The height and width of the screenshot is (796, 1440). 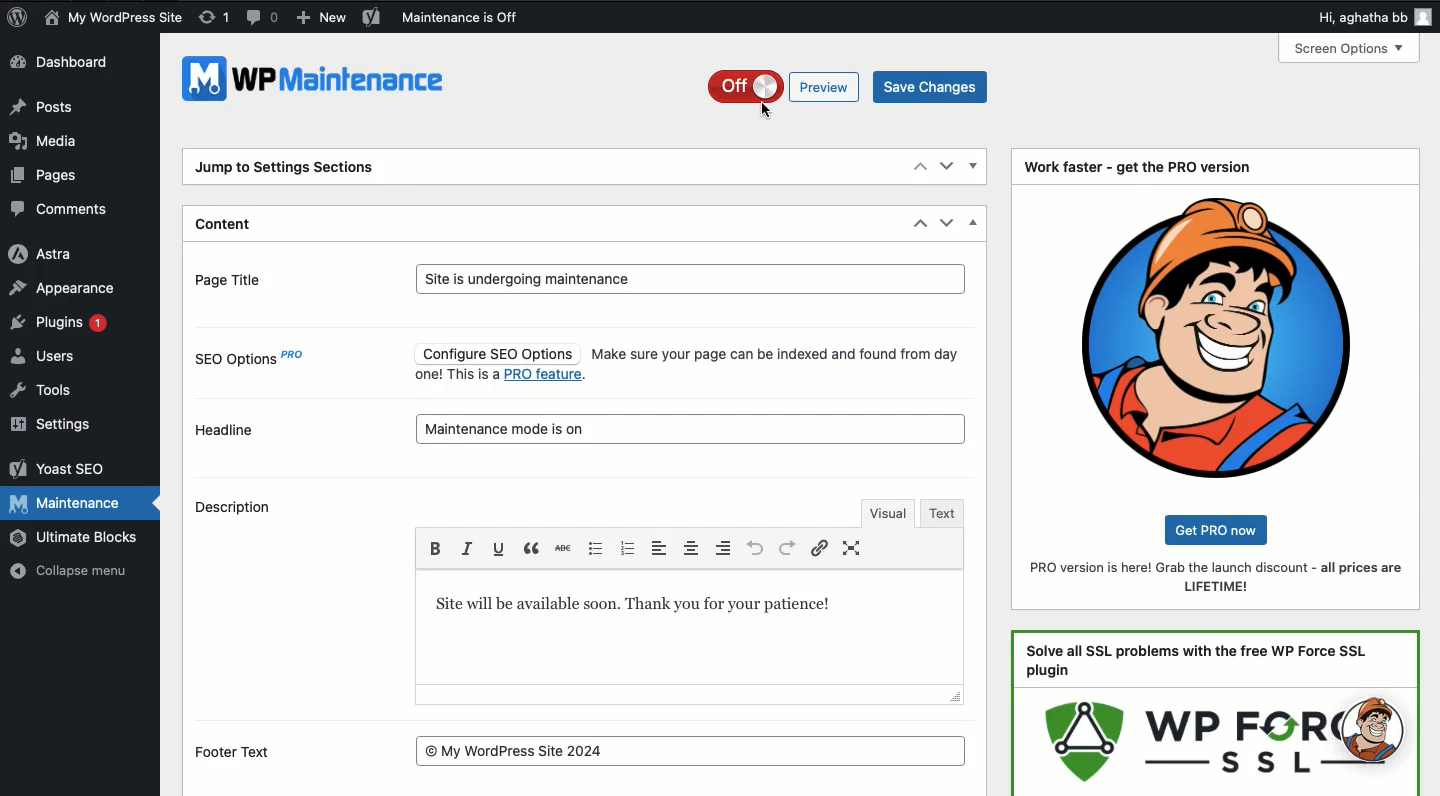 What do you see at coordinates (246, 753) in the screenshot?
I see `Footer text` at bounding box center [246, 753].